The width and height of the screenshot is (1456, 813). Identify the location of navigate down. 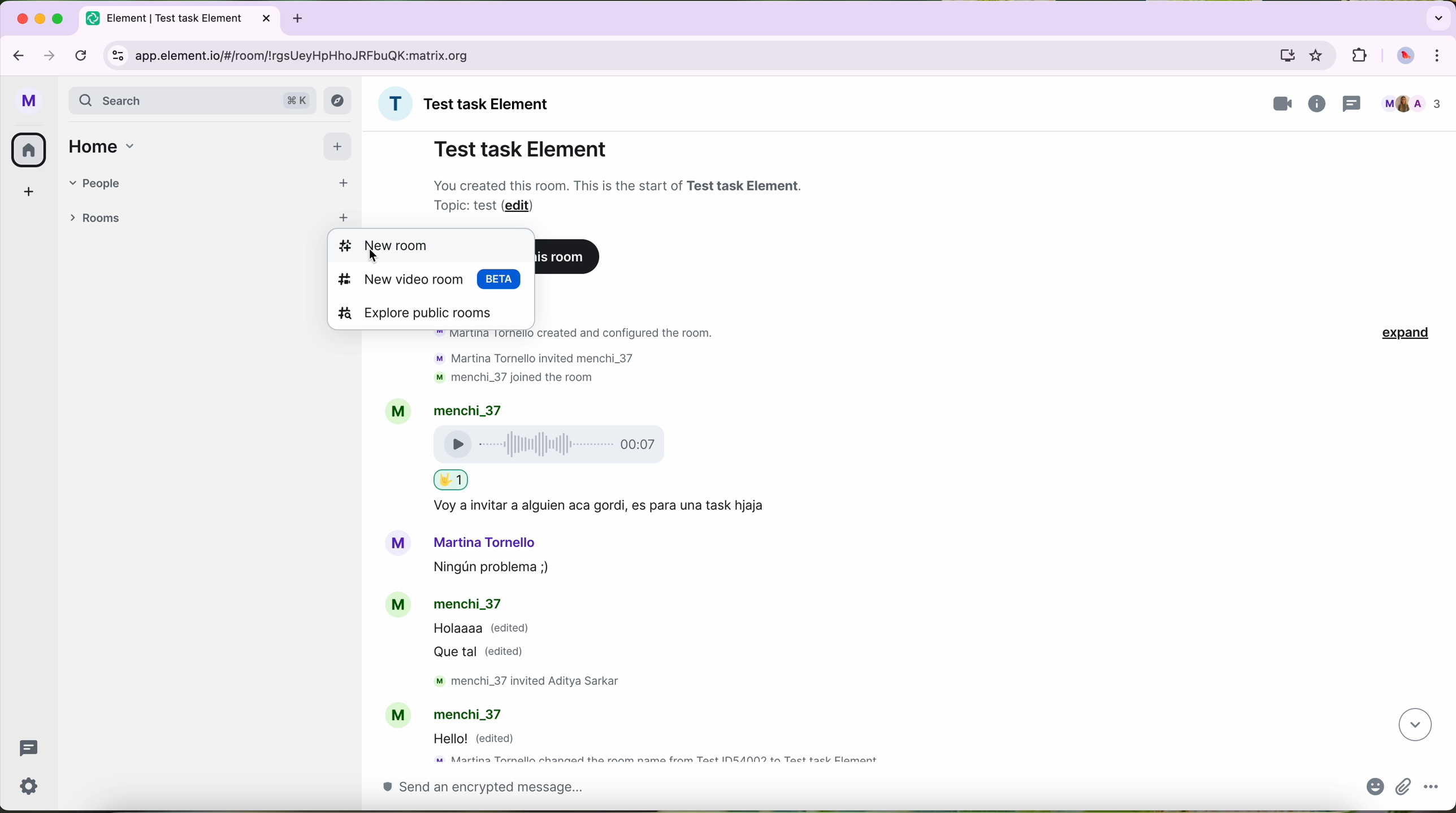
(1413, 725).